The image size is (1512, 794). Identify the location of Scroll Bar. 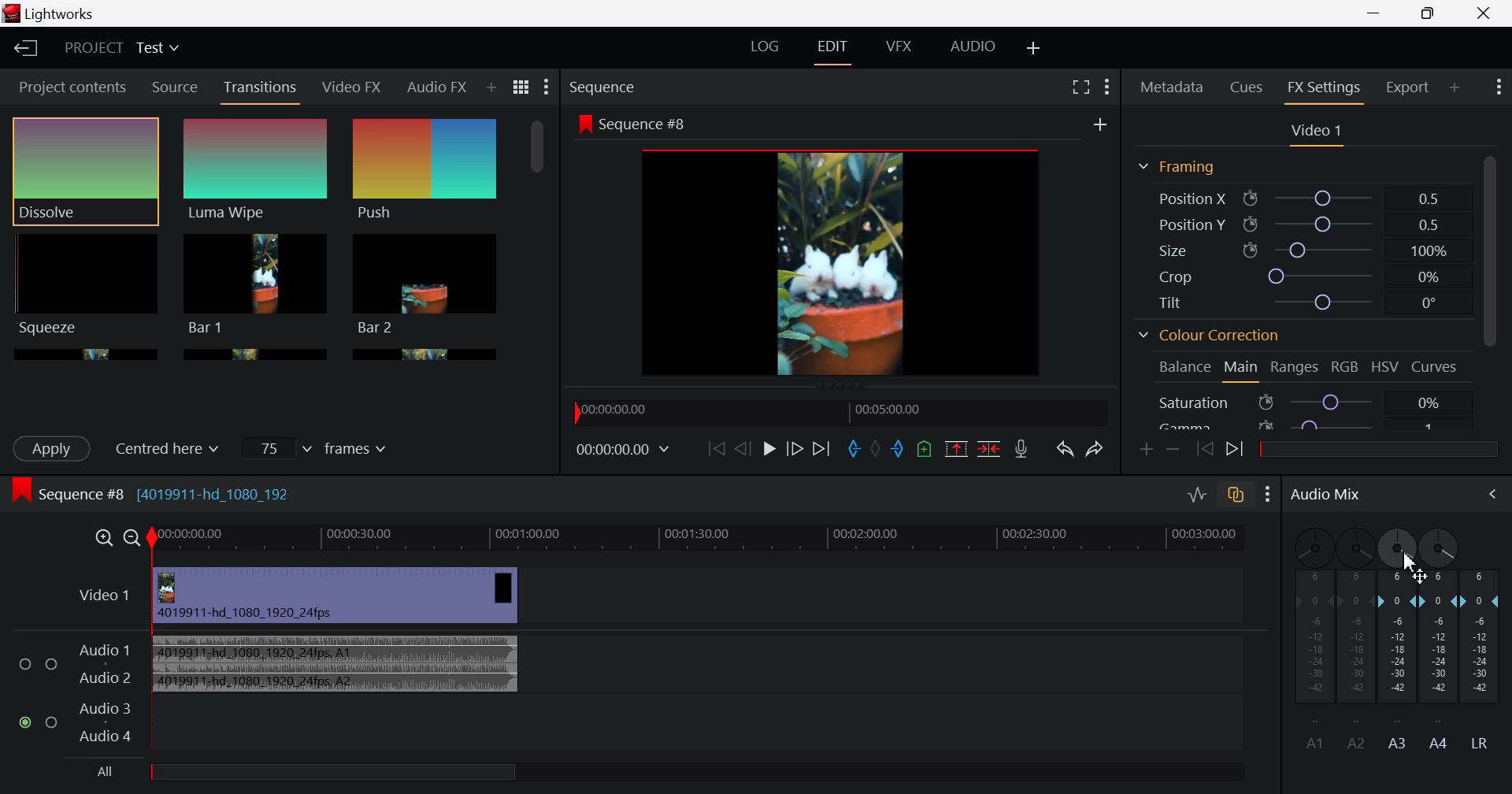
(1493, 291).